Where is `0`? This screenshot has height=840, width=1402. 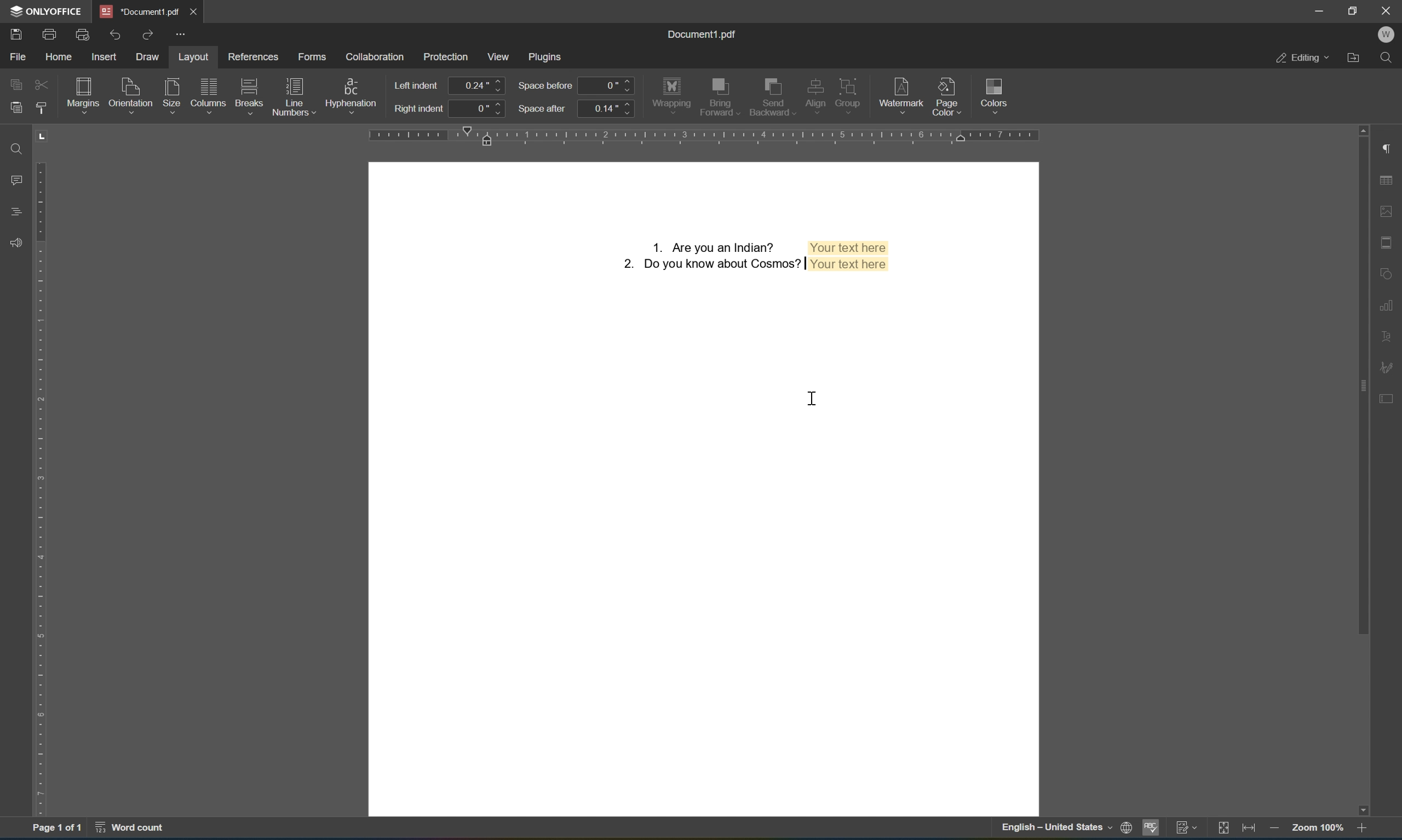 0 is located at coordinates (607, 84).